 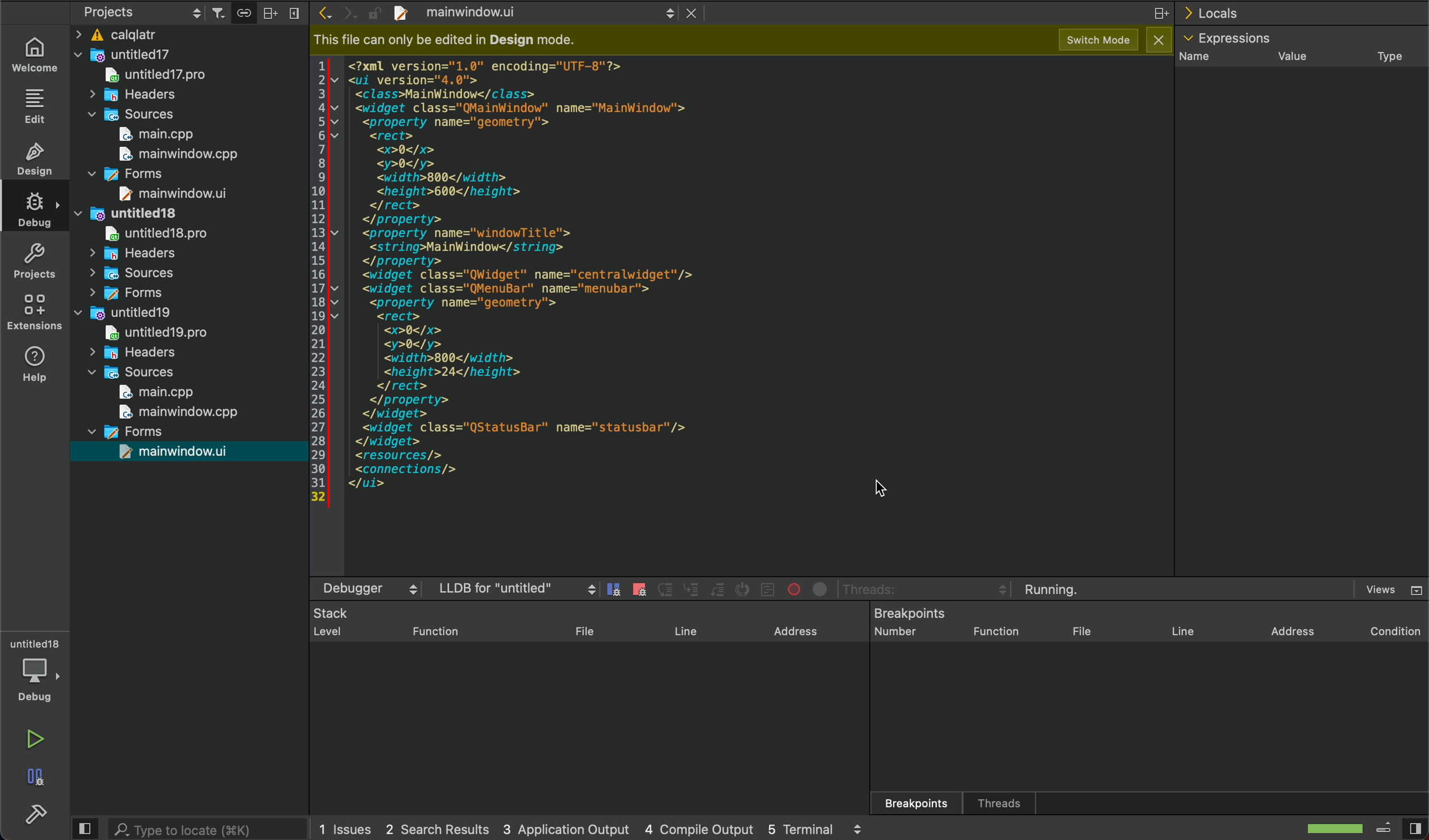 I want to click on File, so click(x=1084, y=629).